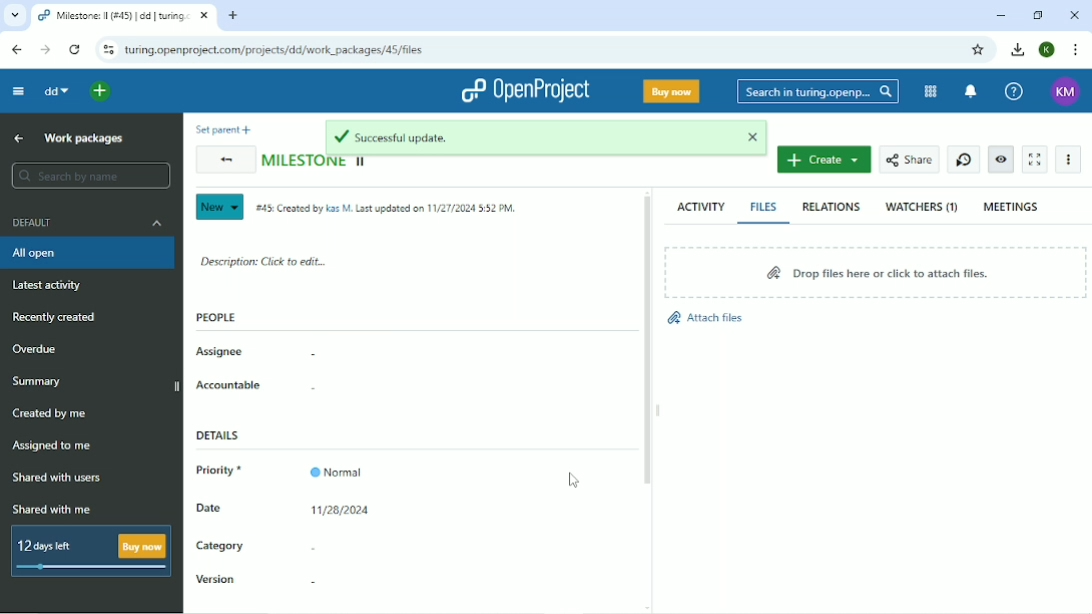  I want to click on Recently created, so click(54, 317).